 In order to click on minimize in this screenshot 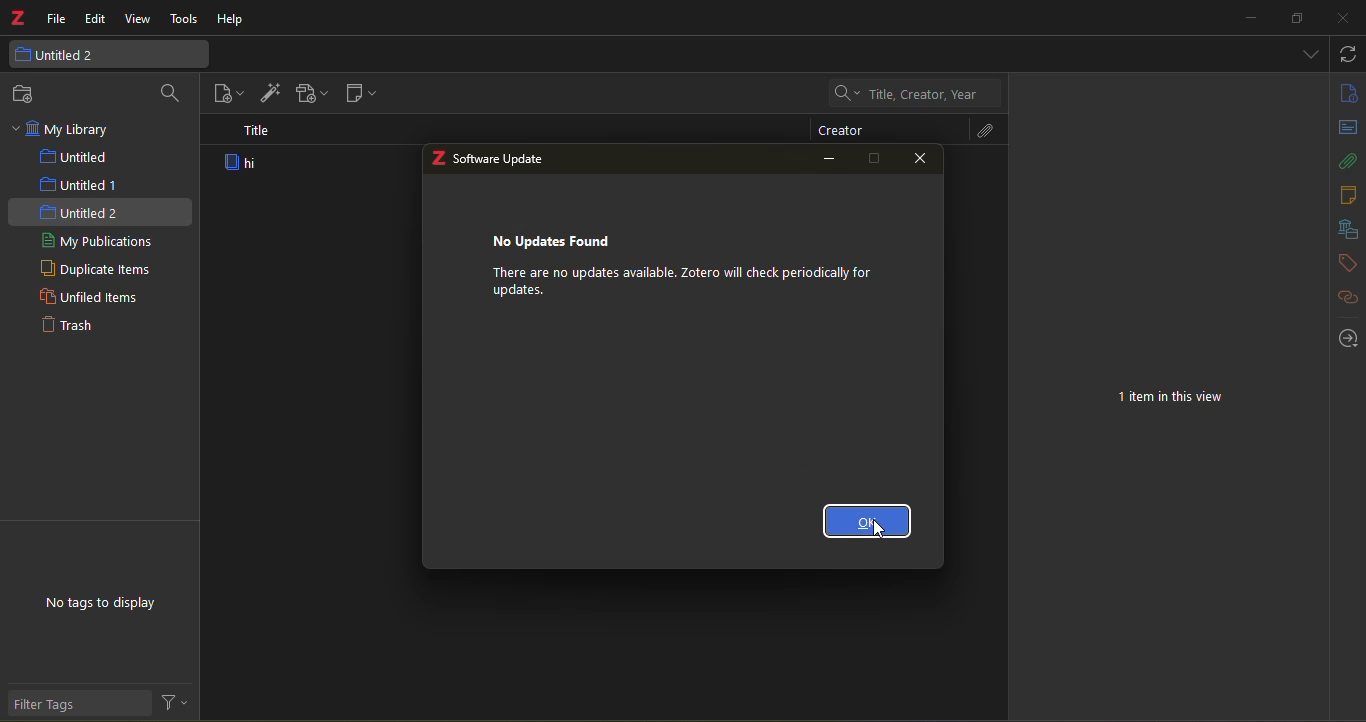, I will do `click(1250, 18)`.